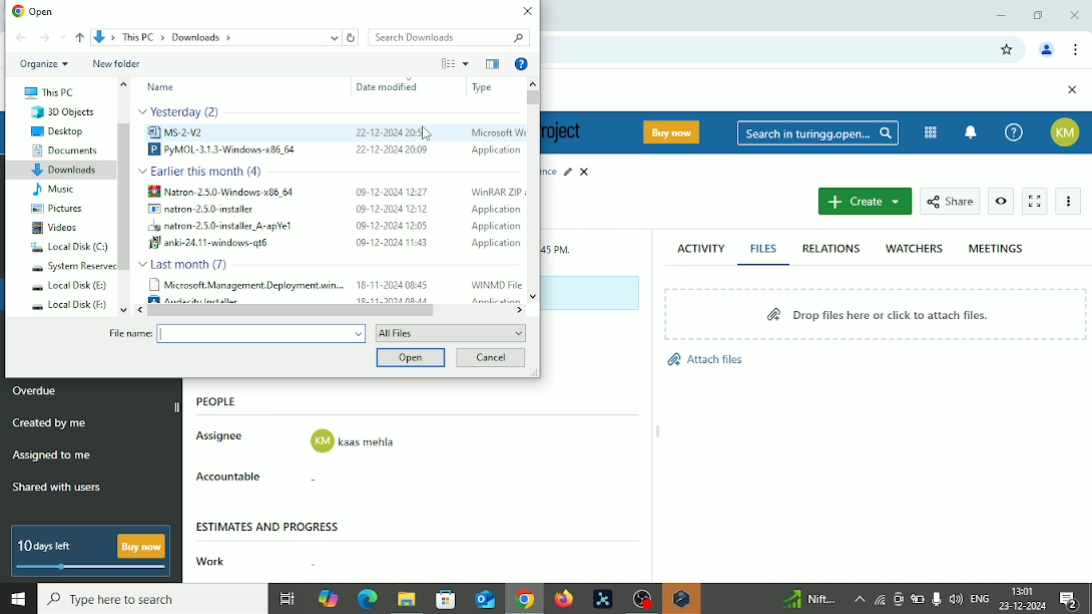  I want to click on Customize and control google chrome, so click(1078, 49).